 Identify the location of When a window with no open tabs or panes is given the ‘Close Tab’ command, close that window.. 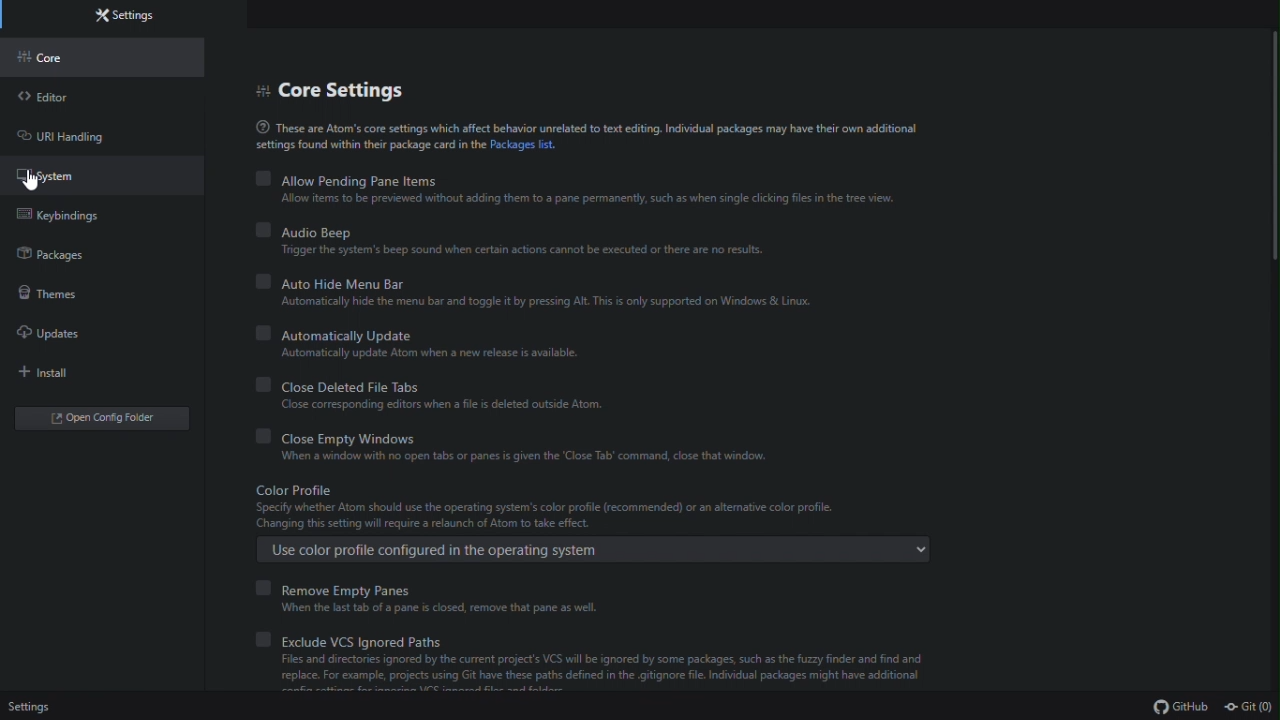
(524, 456).